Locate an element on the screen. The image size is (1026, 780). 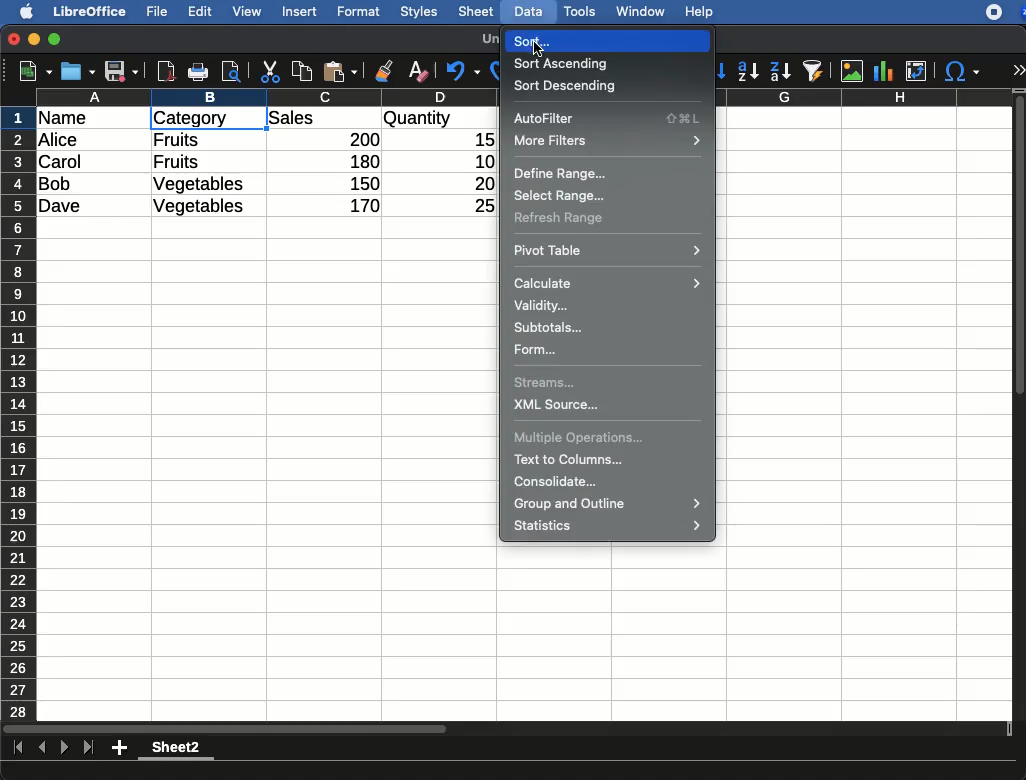
pivot table is located at coordinates (608, 249).